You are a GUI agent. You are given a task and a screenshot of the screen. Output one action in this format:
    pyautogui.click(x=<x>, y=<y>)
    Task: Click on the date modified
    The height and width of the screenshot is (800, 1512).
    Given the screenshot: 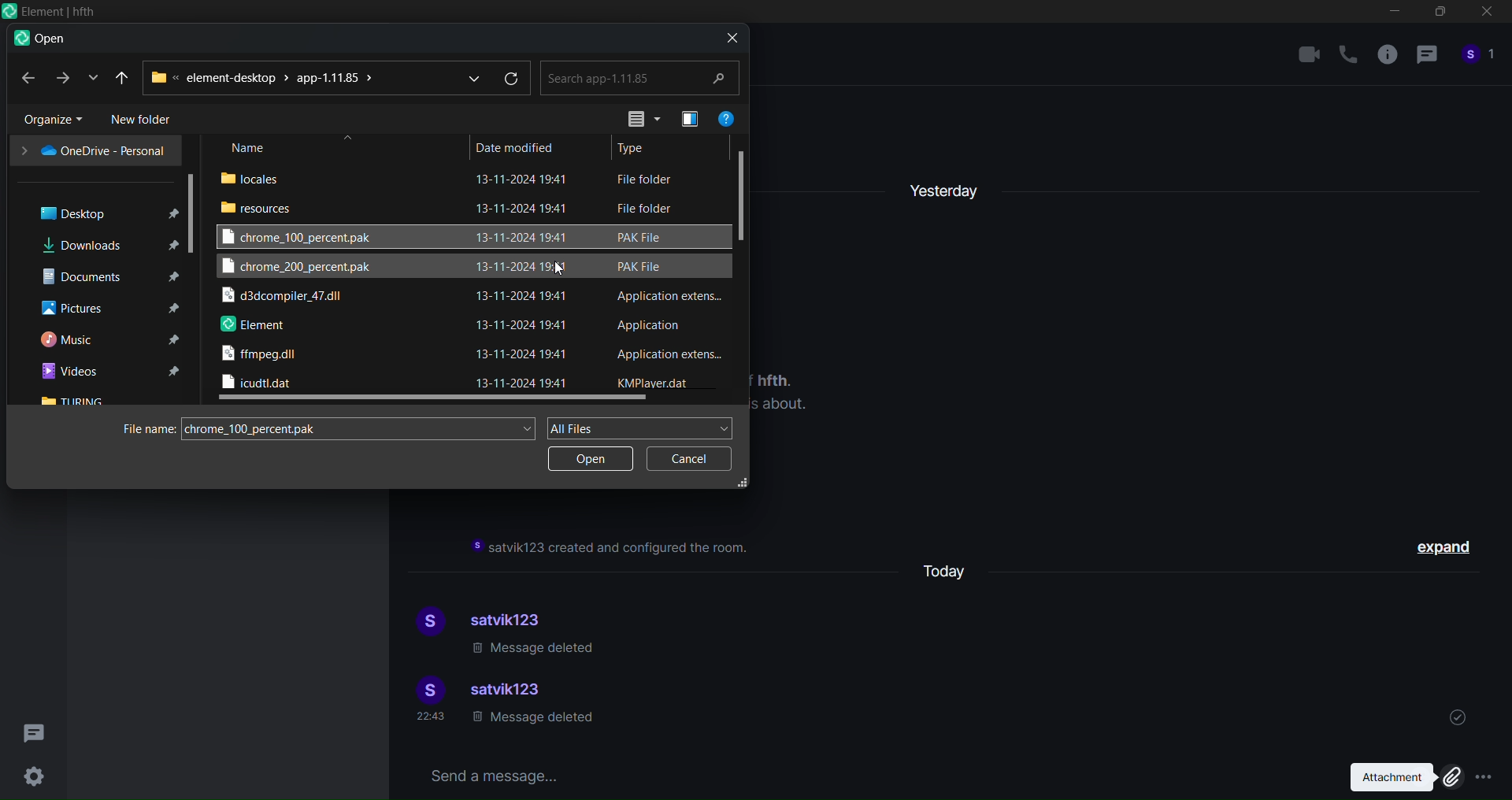 What is the action you would take?
    pyautogui.click(x=516, y=146)
    